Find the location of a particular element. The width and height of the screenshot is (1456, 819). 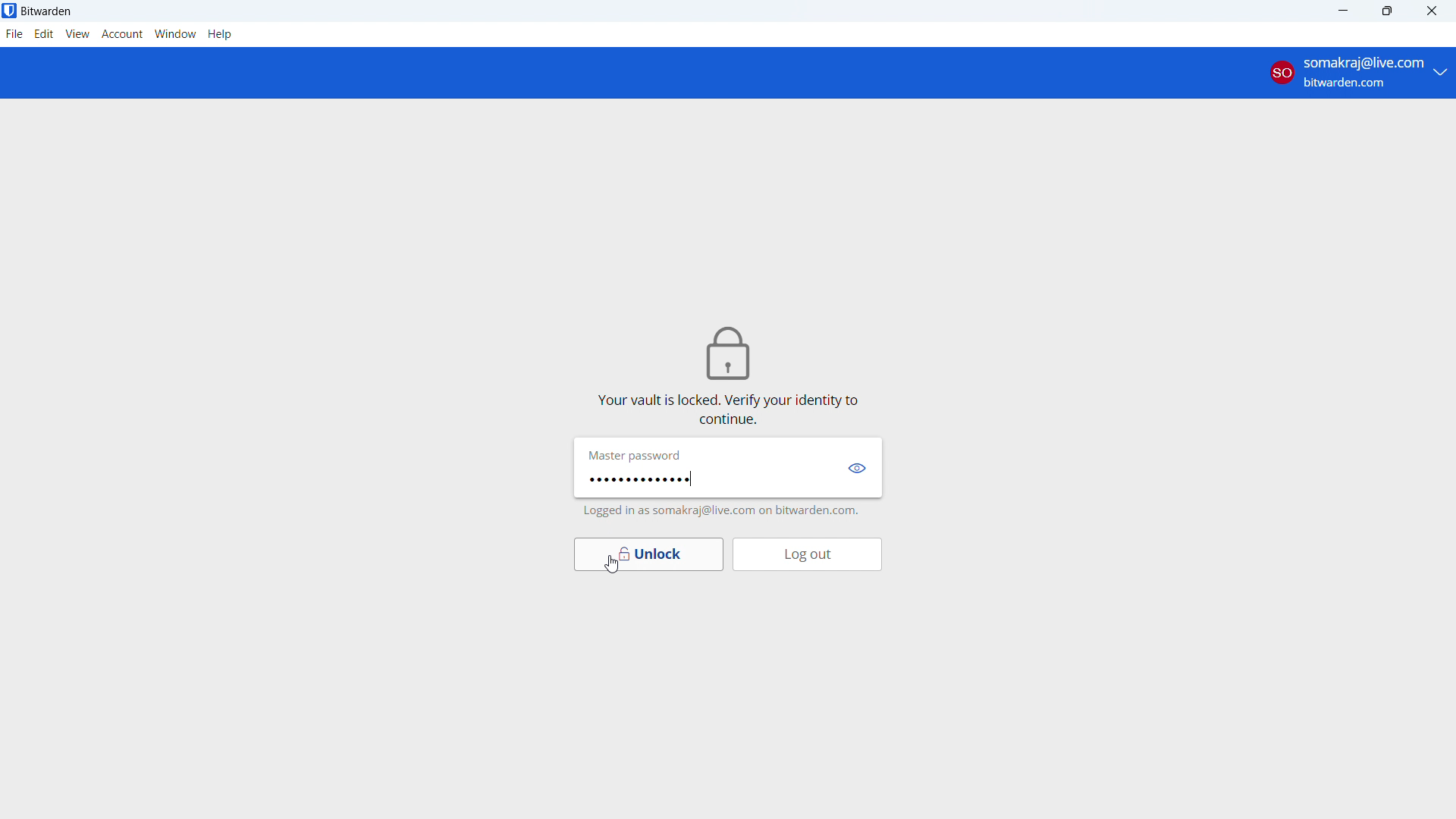

cursor is located at coordinates (612, 567).